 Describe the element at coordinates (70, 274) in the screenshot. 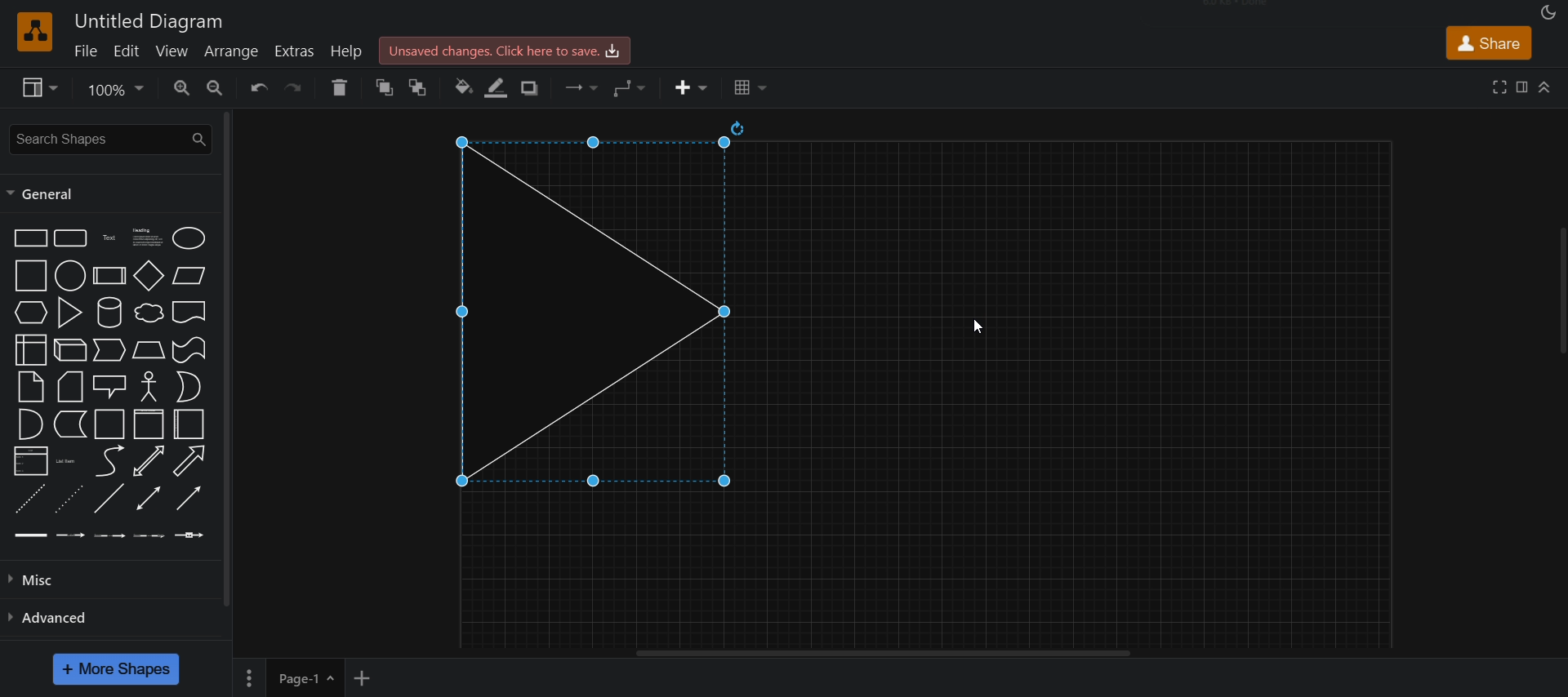

I see `circle` at that location.